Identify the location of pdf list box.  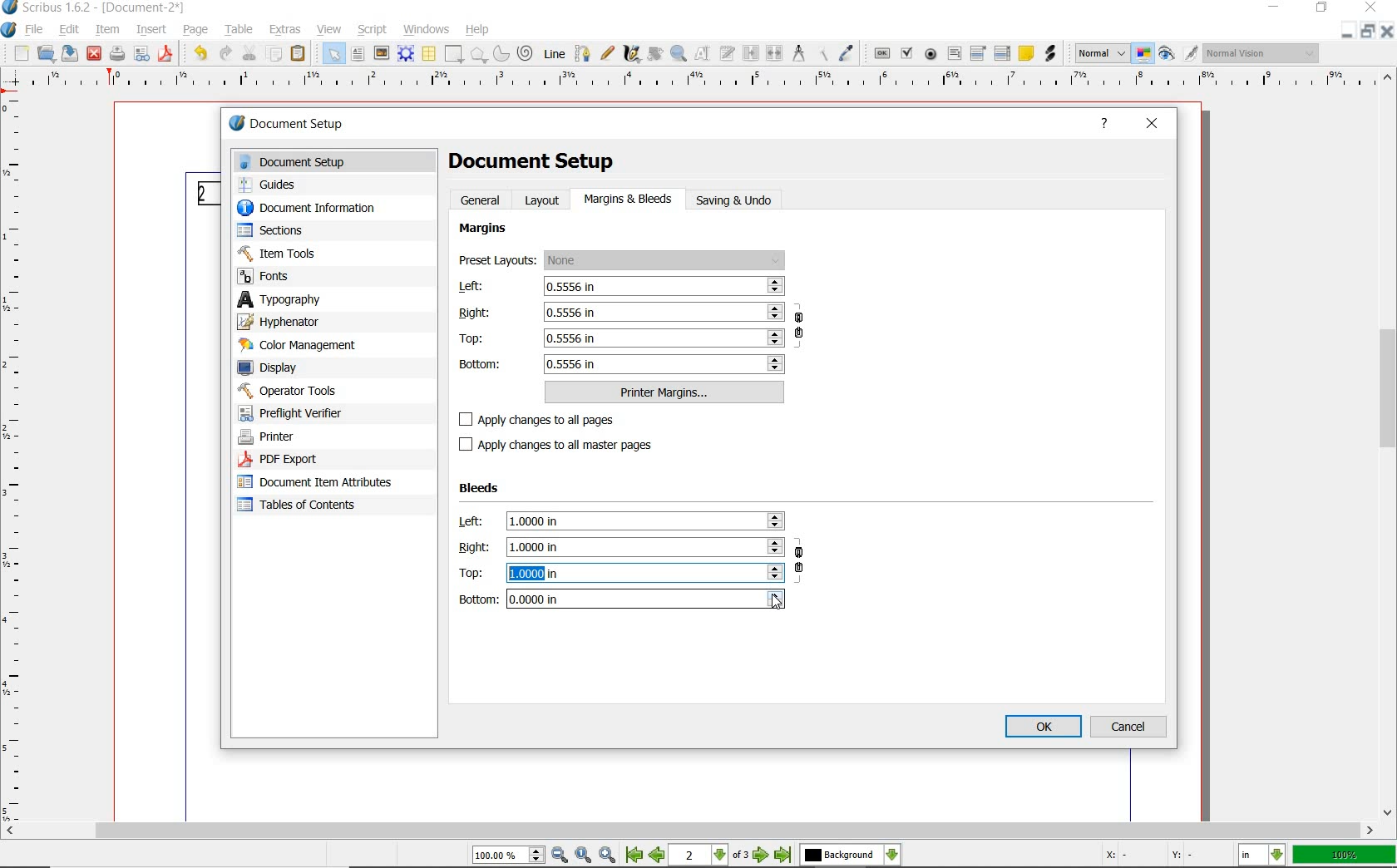
(1003, 54).